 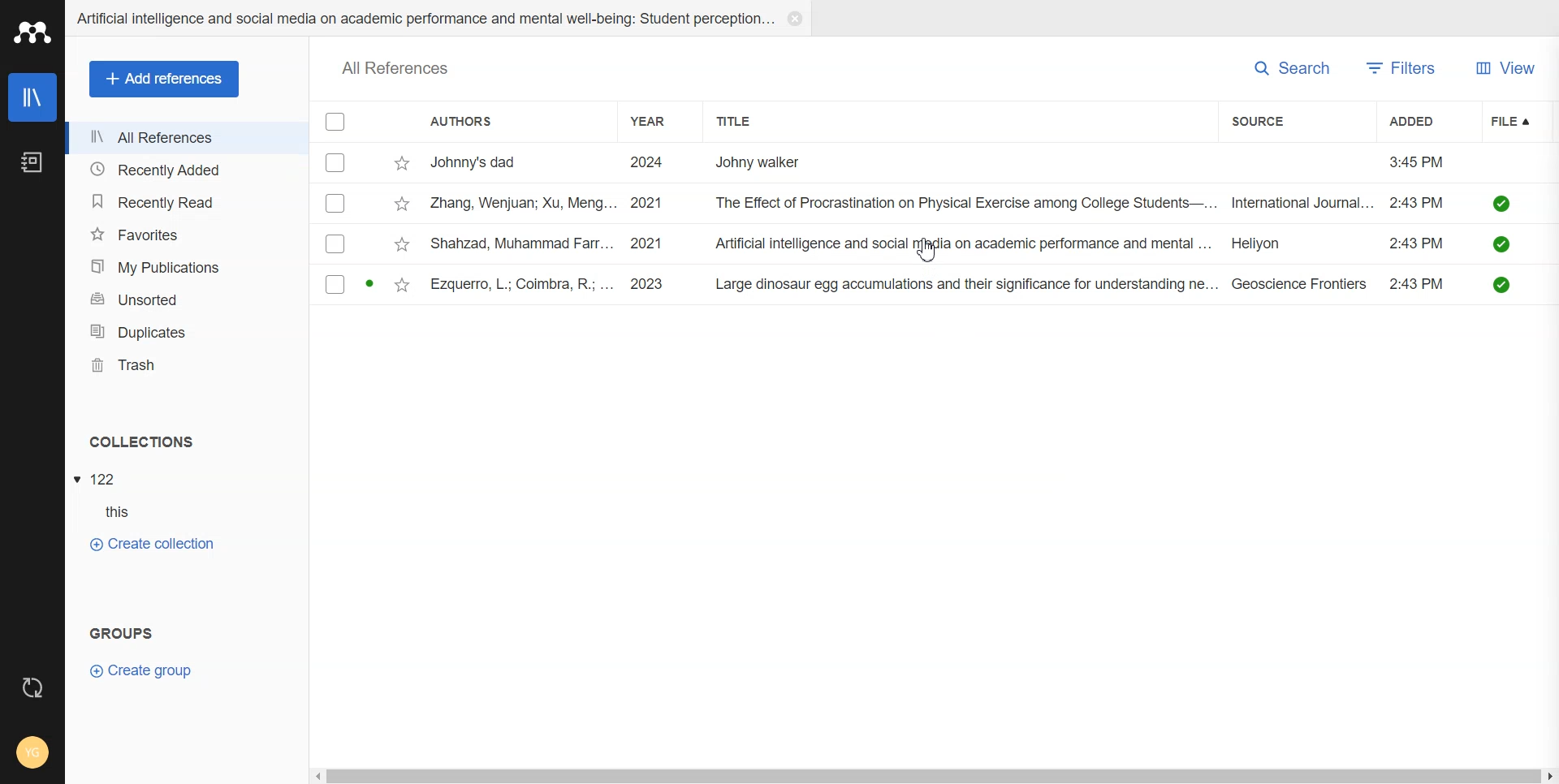 What do you see at coordinates (1301, 203) in the screenshot?
I see `International joumal...` at bounding box center [1301, 203].